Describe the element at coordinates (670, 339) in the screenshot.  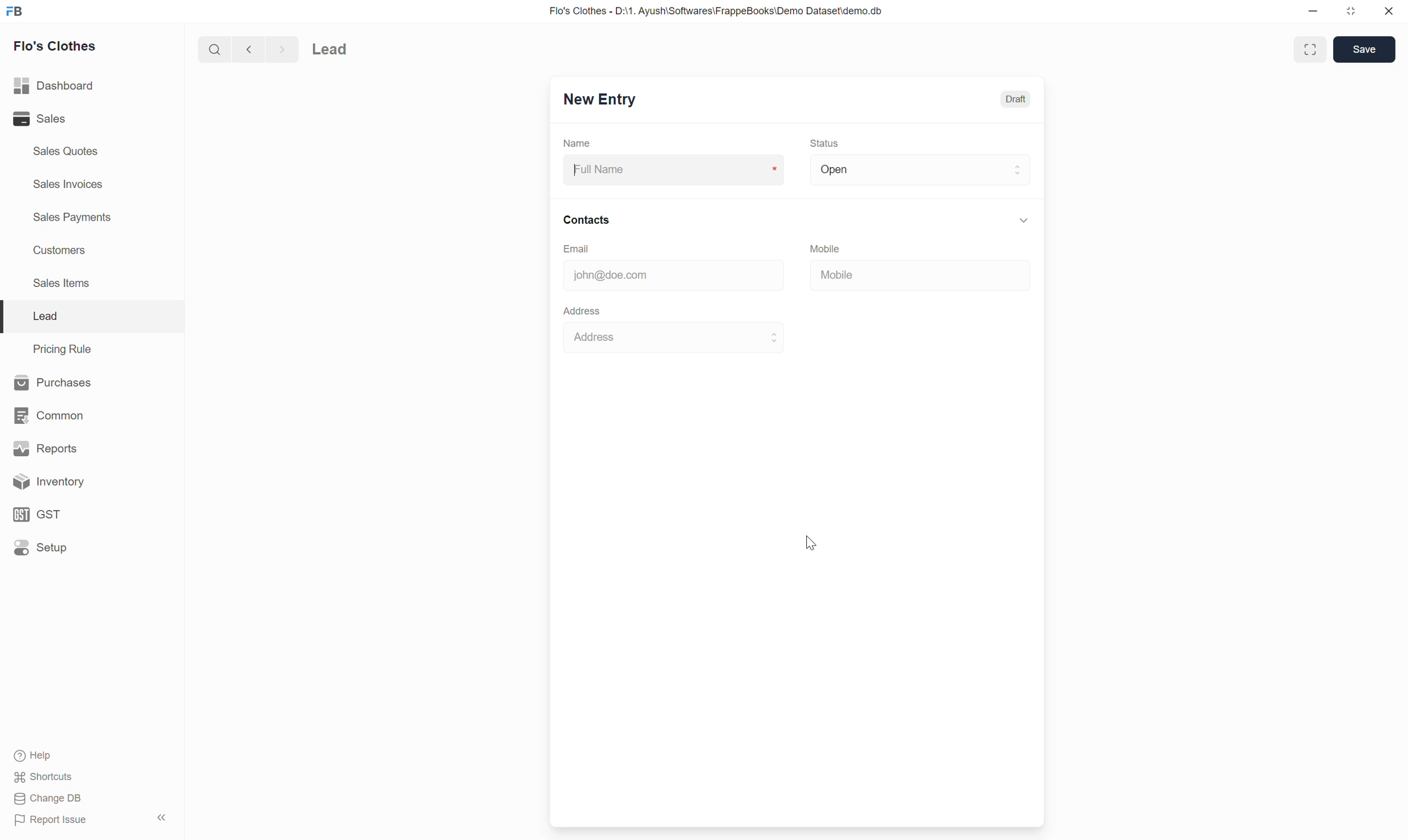
I see `Address ` at that location.